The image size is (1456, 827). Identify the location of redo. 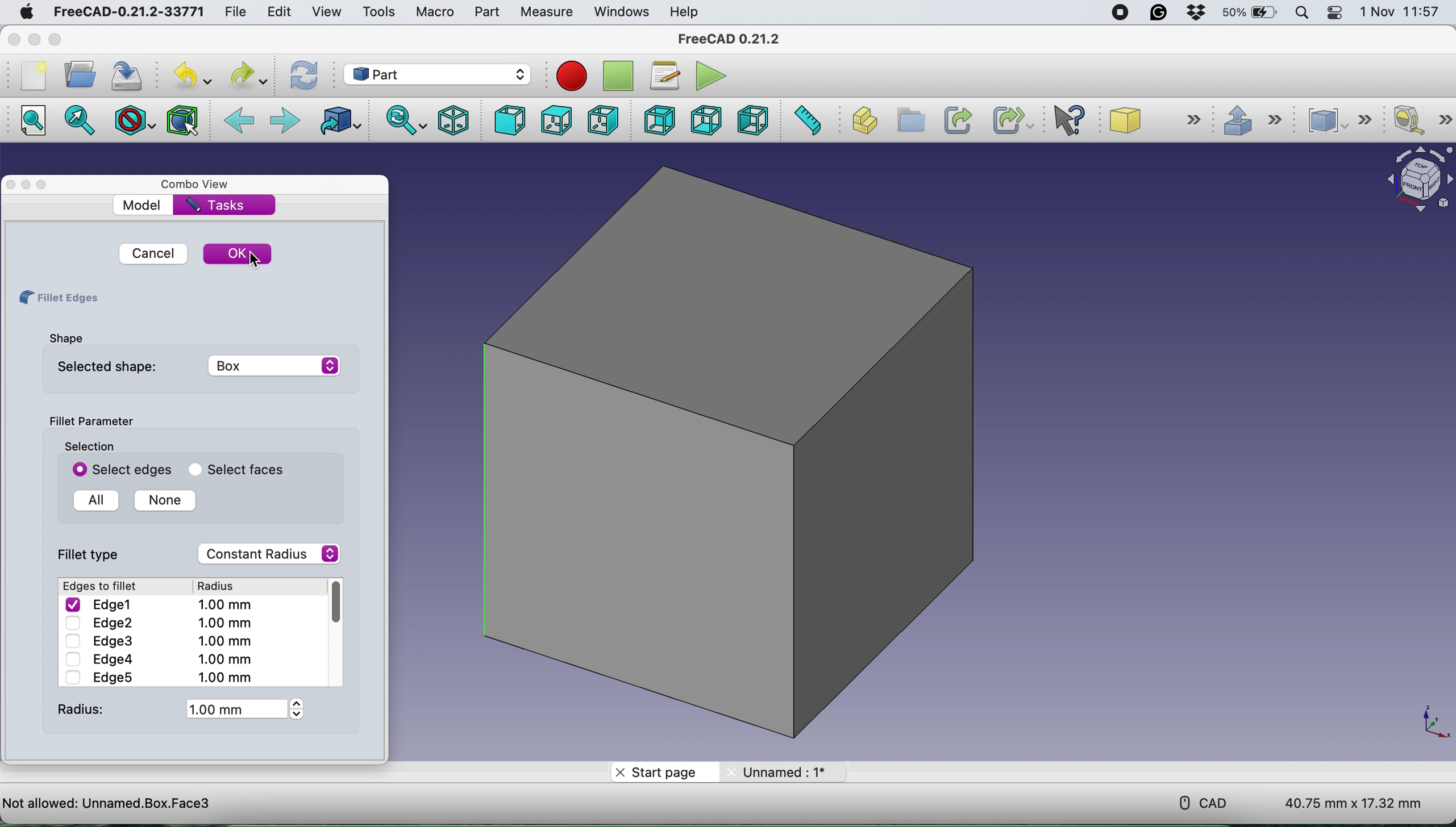
(249, 75).